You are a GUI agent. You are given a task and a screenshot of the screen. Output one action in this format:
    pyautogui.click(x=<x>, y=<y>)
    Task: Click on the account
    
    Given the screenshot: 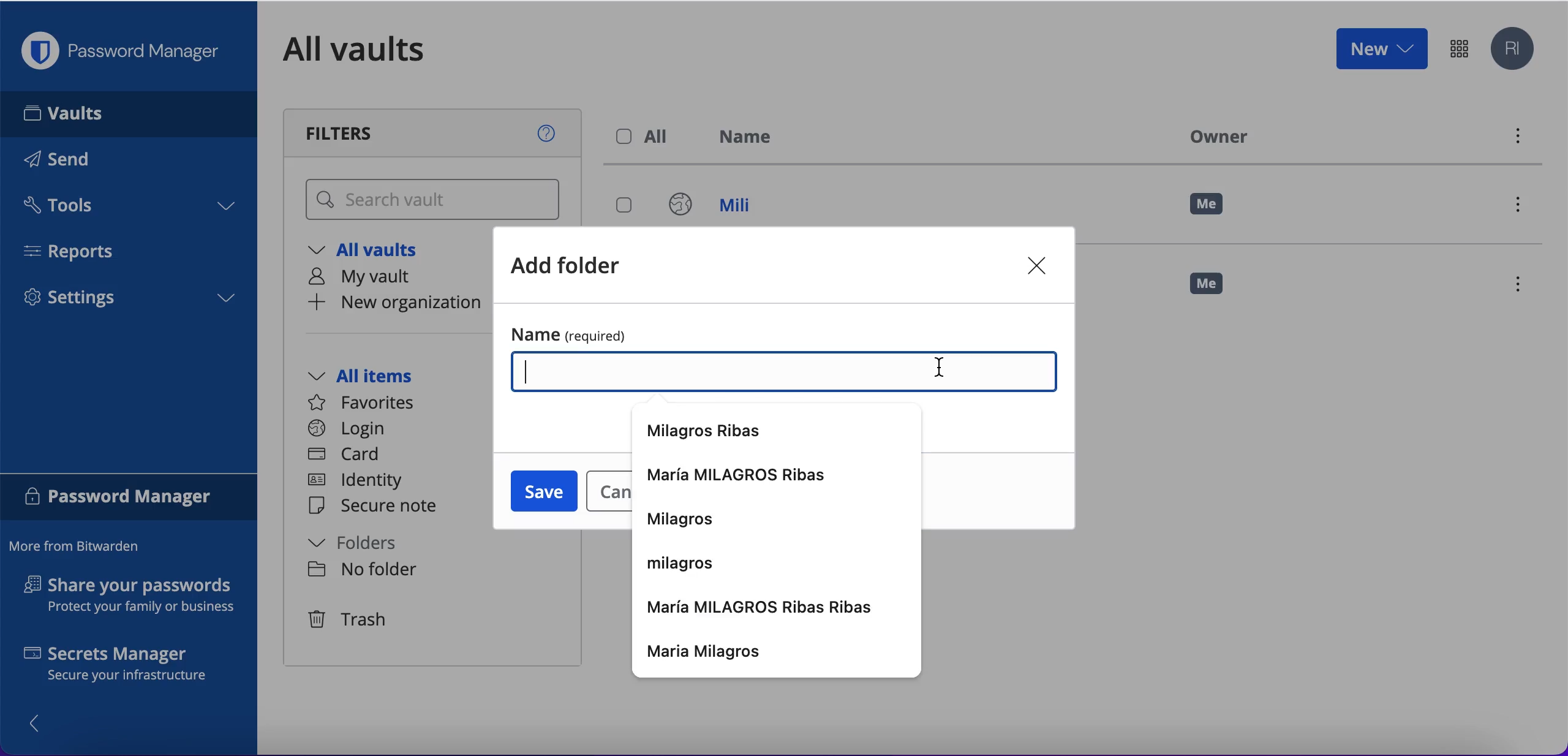 What is the action you would take?
    pyautogui.click(x=1515, y=50)
    